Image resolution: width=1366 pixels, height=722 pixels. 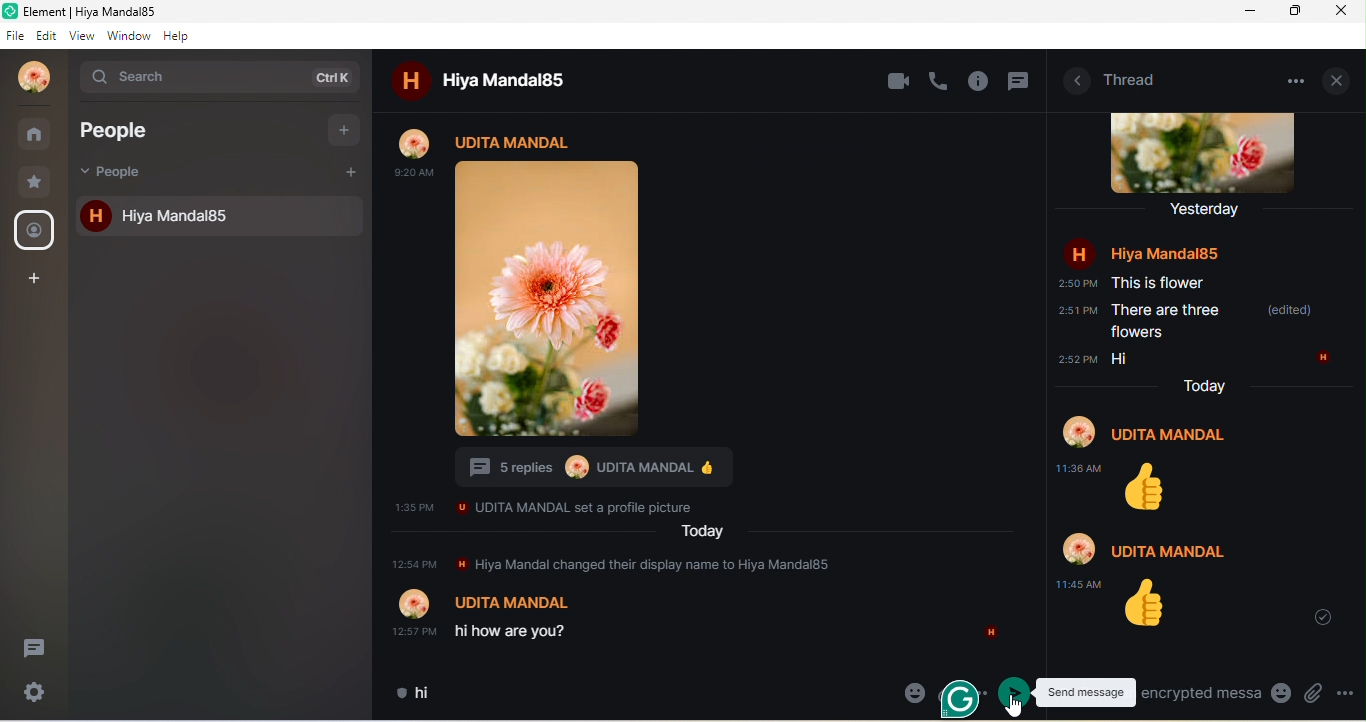 I want to click on send an encrypted message, so click(x=1203, y=693).